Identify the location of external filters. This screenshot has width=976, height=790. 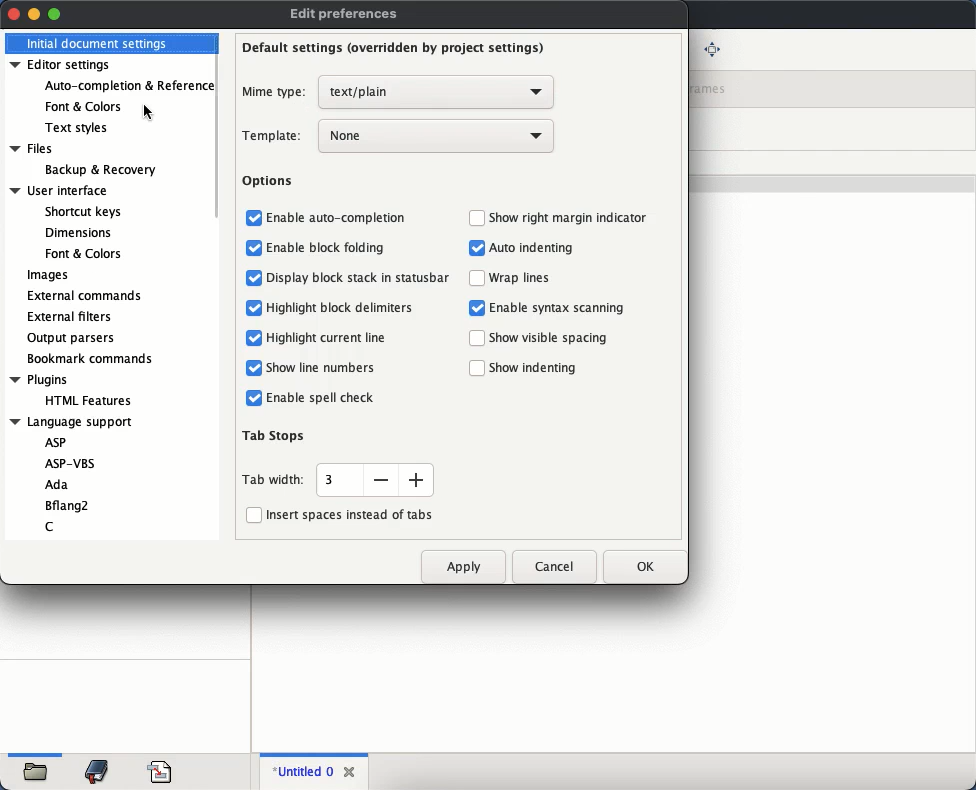
(73, 317).